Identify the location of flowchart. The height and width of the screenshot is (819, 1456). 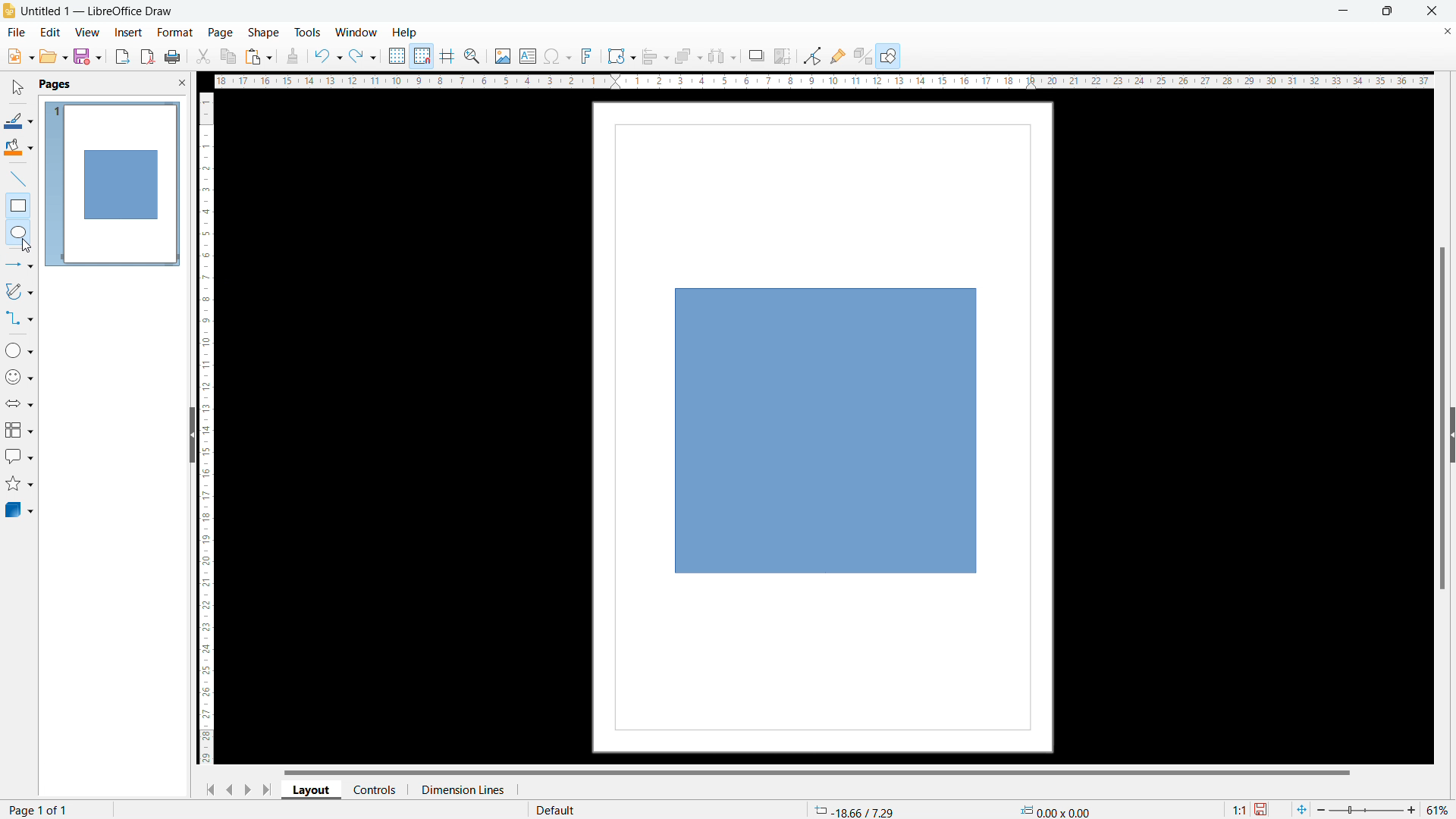
(20, 430).